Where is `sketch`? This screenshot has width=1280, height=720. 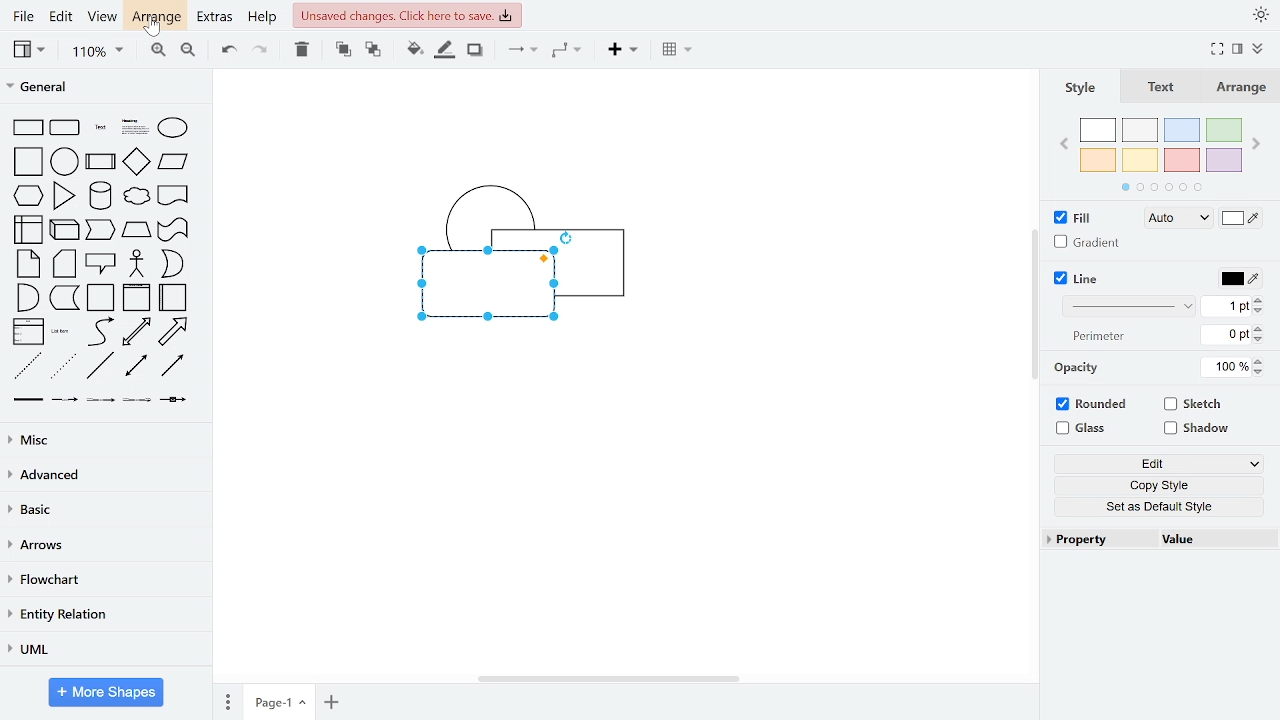
sketch is located at coordinates (1194, 403).